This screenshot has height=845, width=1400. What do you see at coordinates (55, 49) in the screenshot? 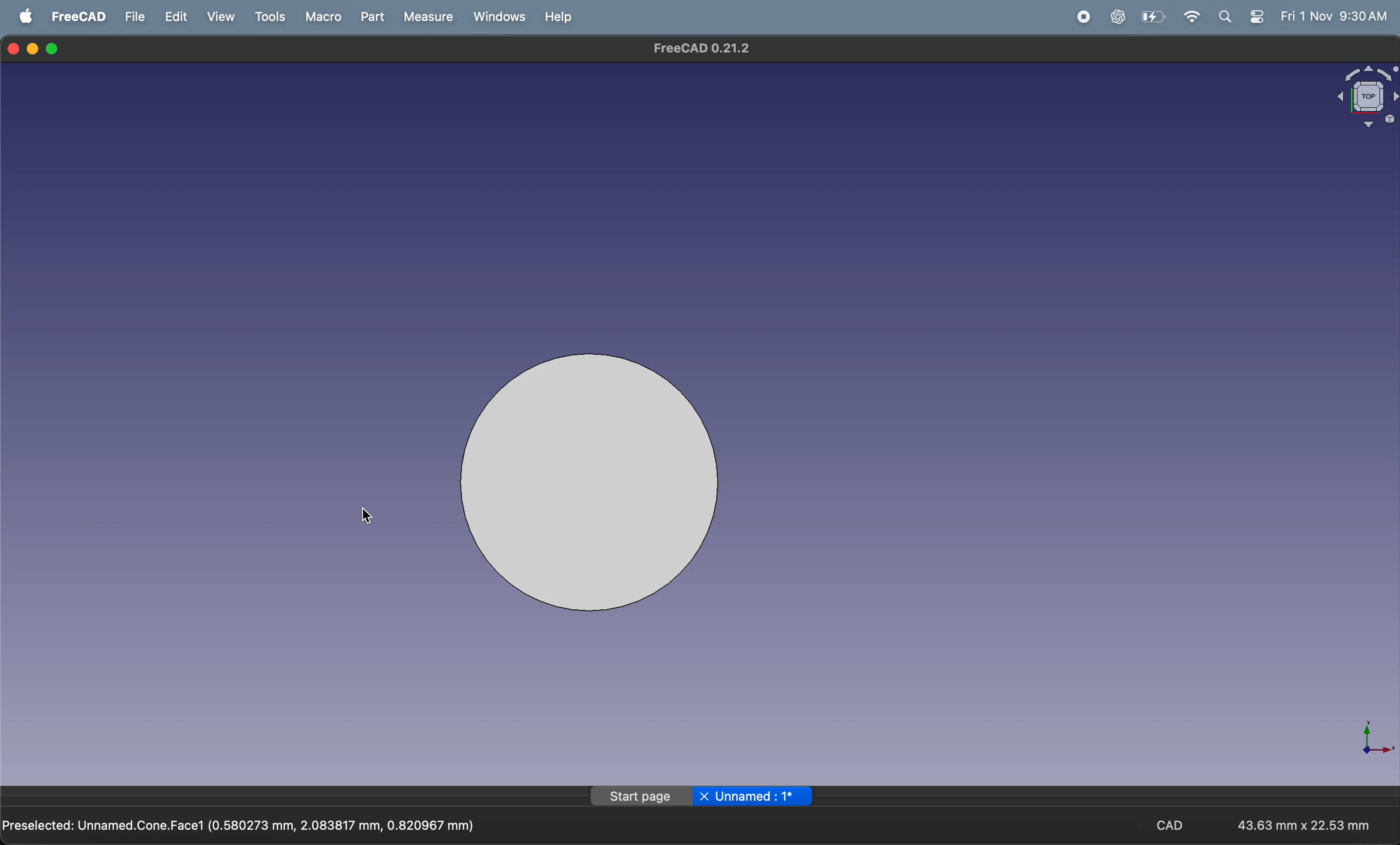
I see `maximize` at bounding box center [55, 49].